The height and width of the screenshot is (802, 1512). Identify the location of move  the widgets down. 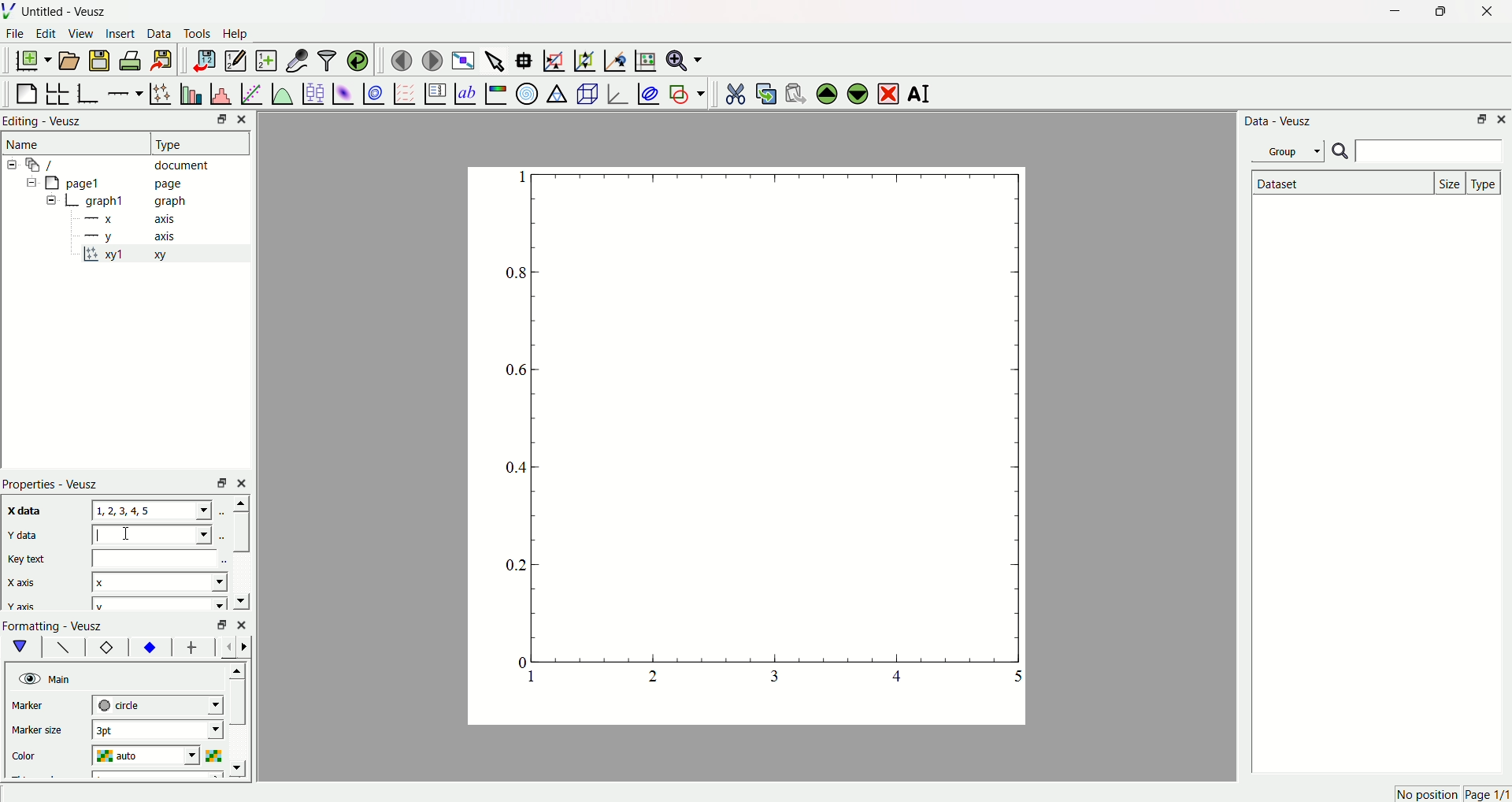
(855, 93).